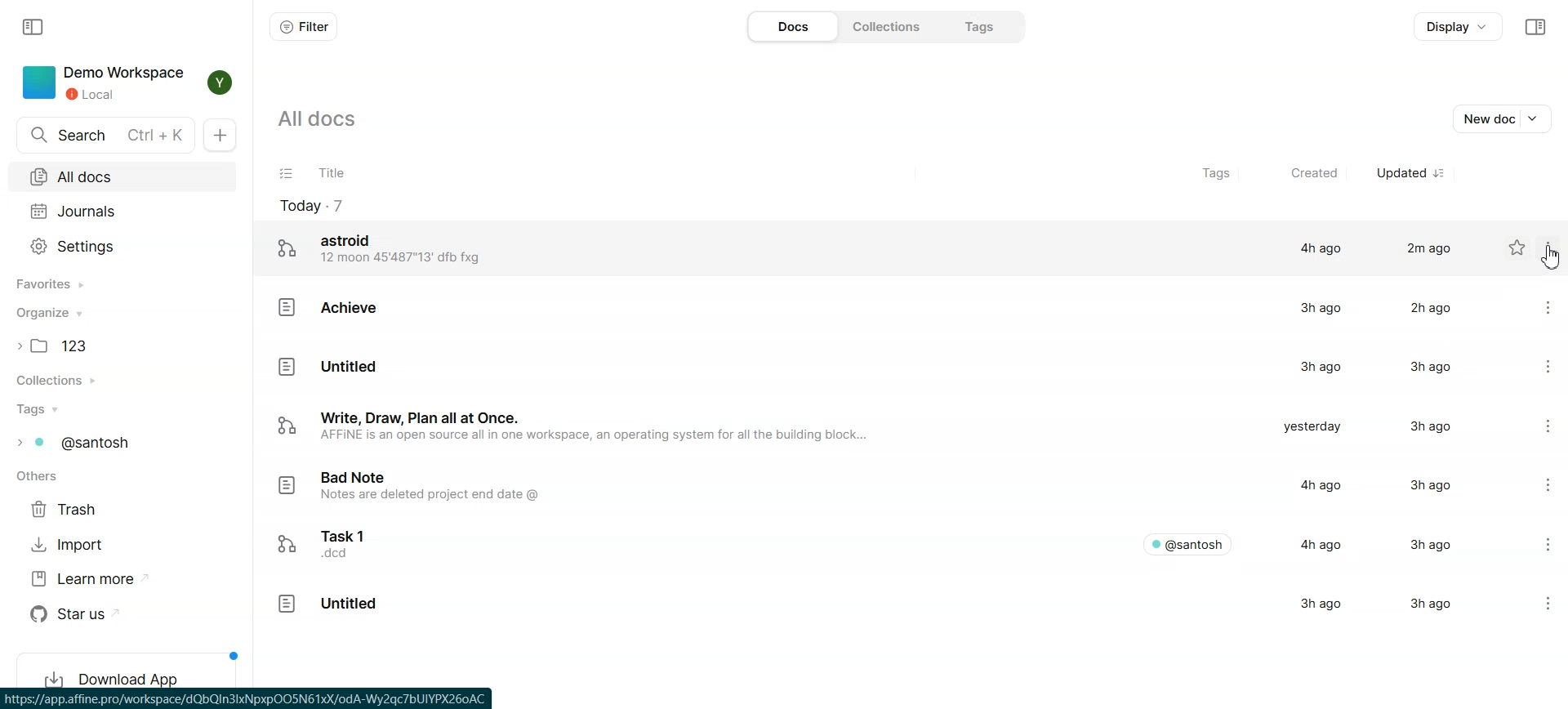  Describe the element at coordinates (425, 491) in the screenshot. I see `Bad Note Notes are deleted project end date @` at that location.